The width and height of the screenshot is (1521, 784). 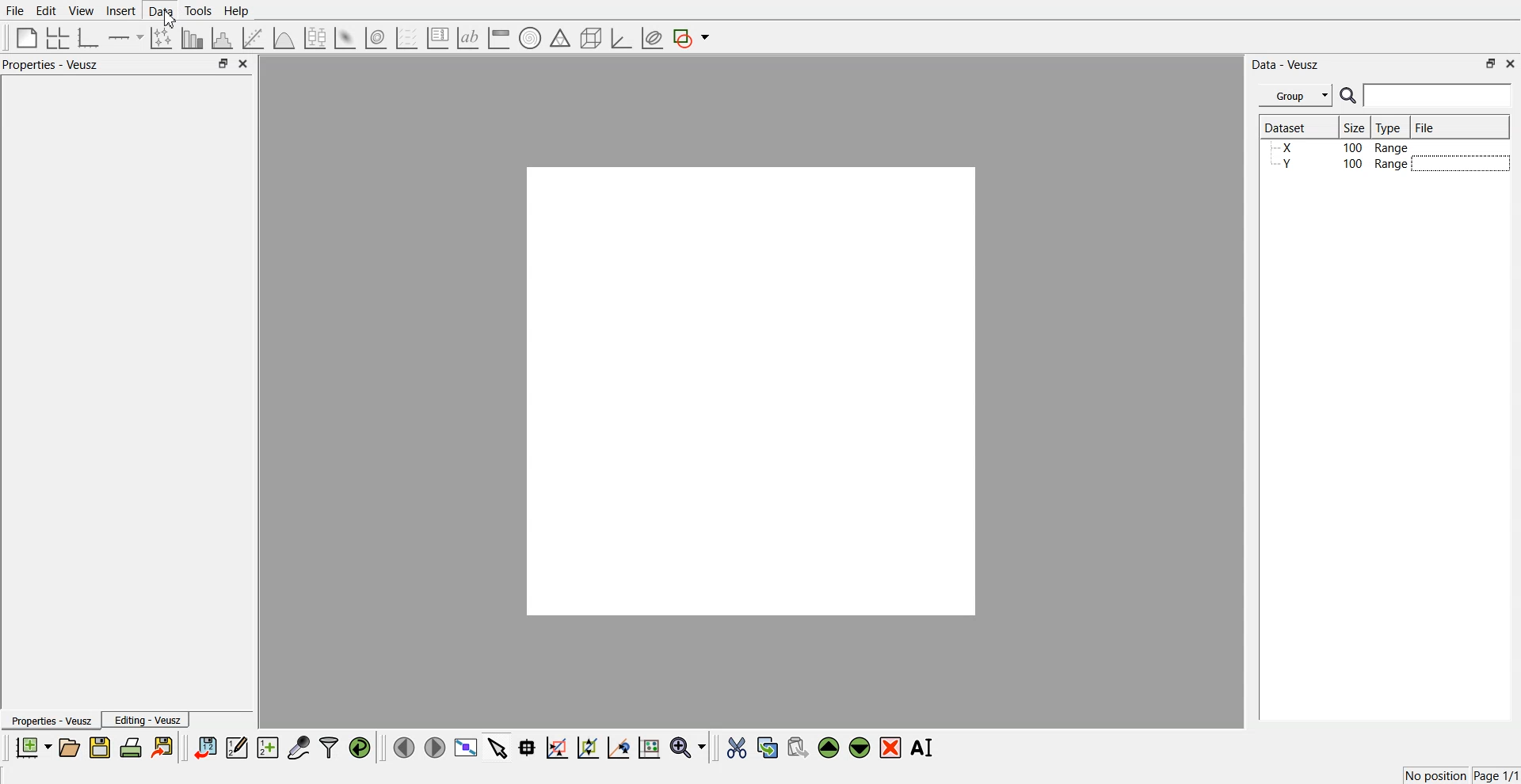 I want to click on Draw a rectangle to zoom graph axes, so click(x=556, y=748).